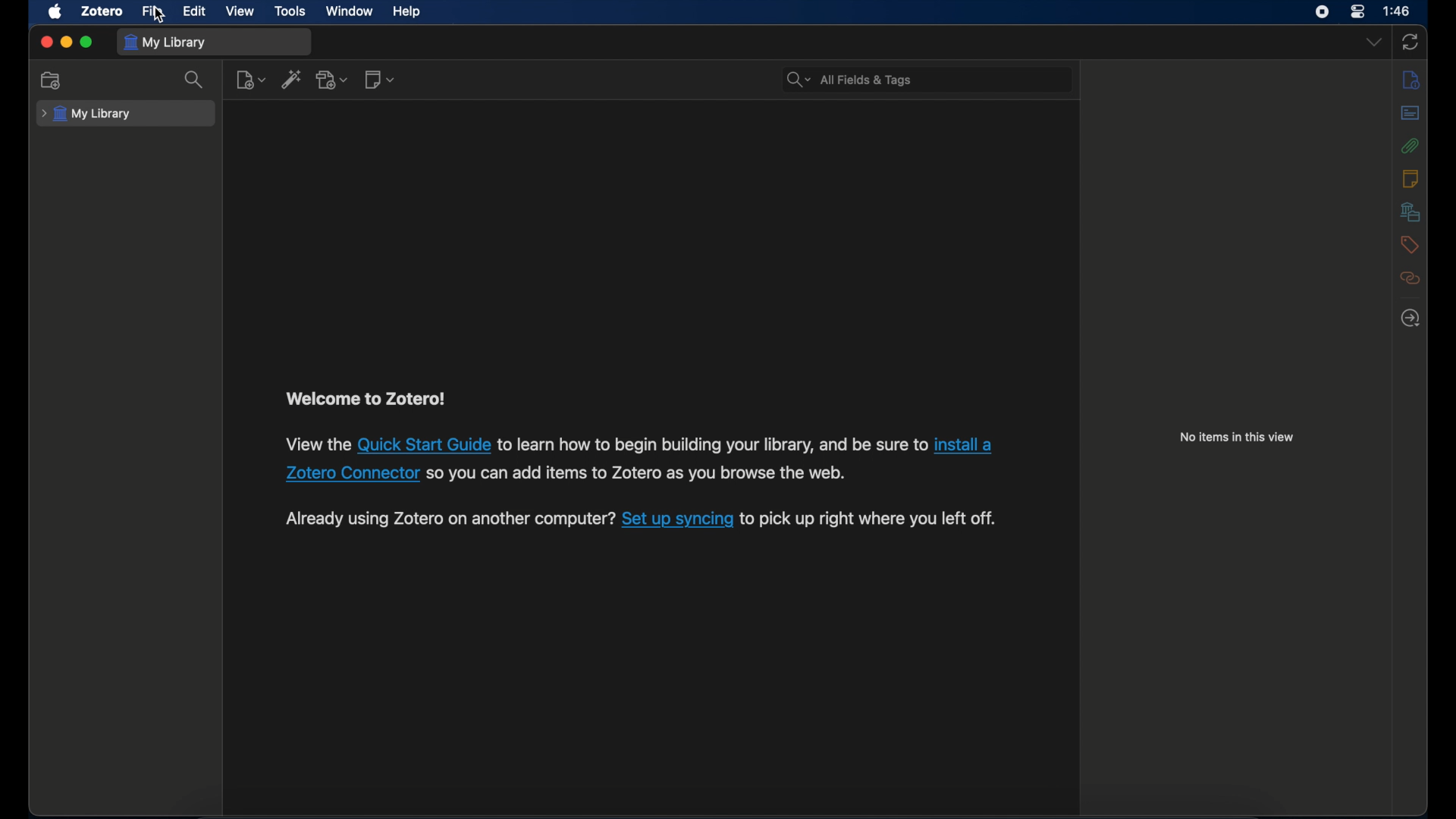 This screenshot has width=1456, height=819. I want to click on abstract, so click(1410, 112).